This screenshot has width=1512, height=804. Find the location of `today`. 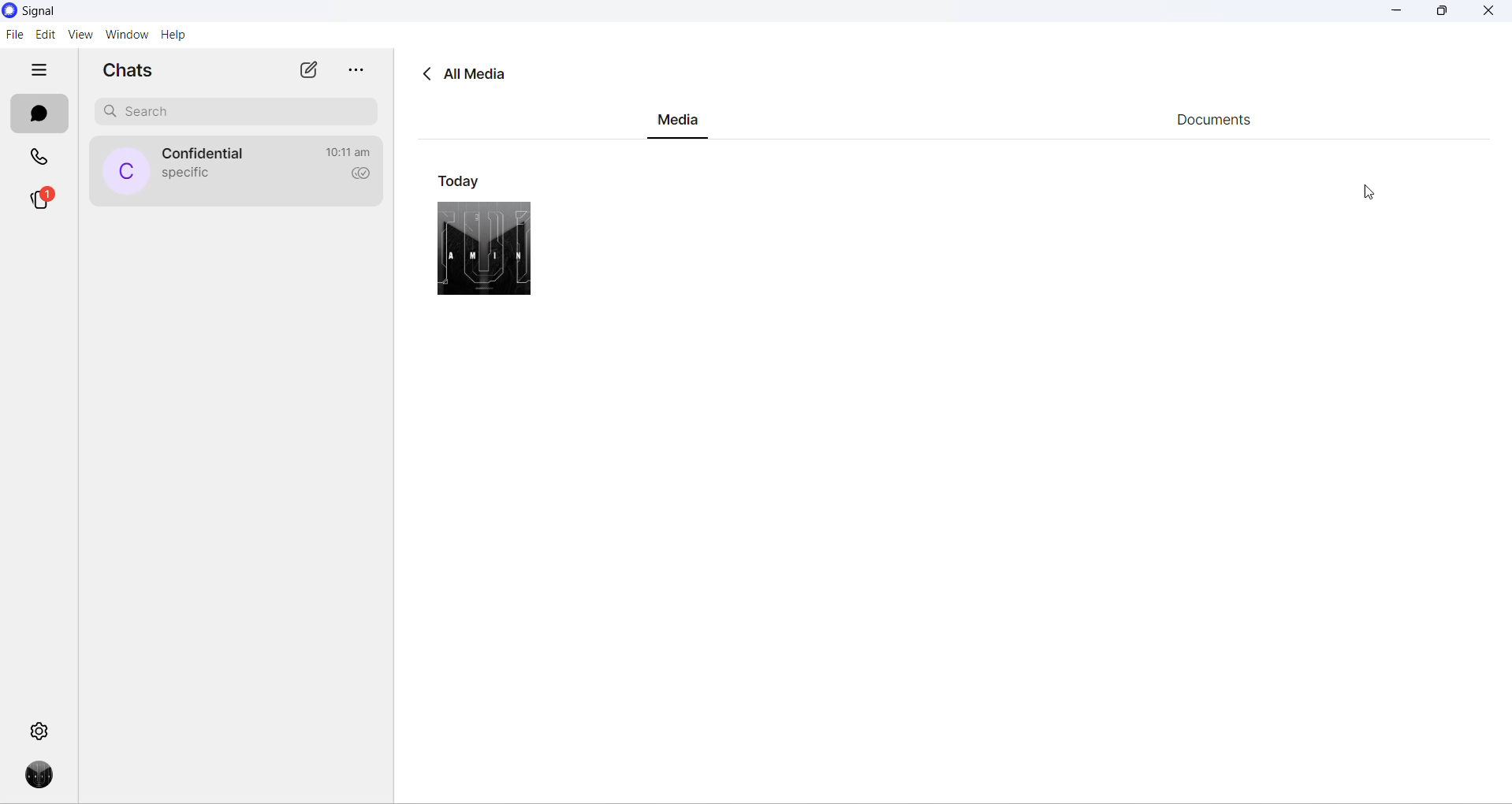

today is located at coordinates (464, 180).